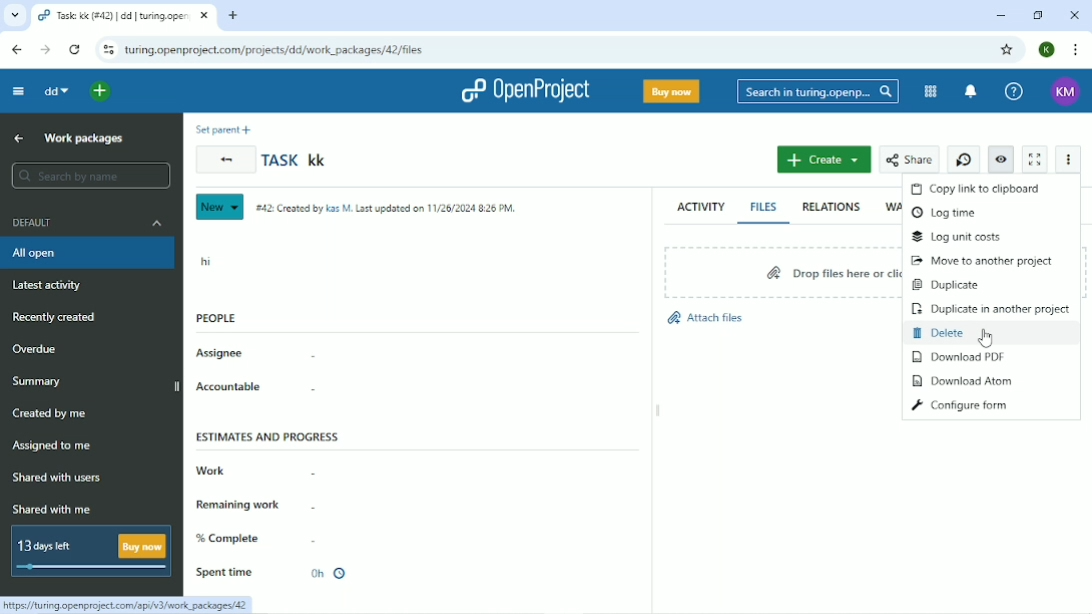  Describe the element at coordinates (221, 207) in the screenshot. I see `New` at that location.